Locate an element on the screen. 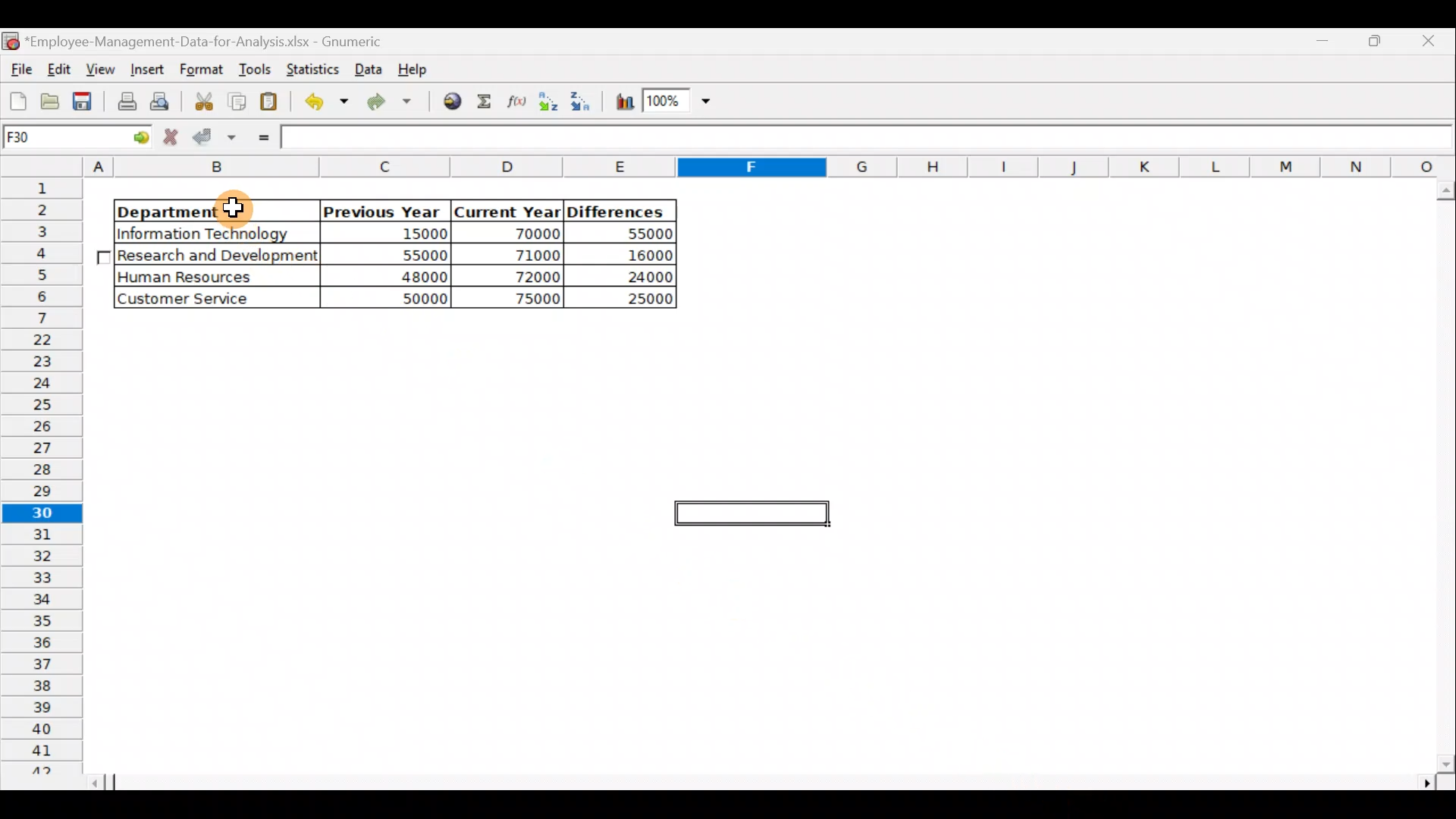 The height and width of the screenshot is (819, 1456). Employee-Management-Data-for-Analysis.xlsx - Gnumeric is located at coordinates (214, 40).